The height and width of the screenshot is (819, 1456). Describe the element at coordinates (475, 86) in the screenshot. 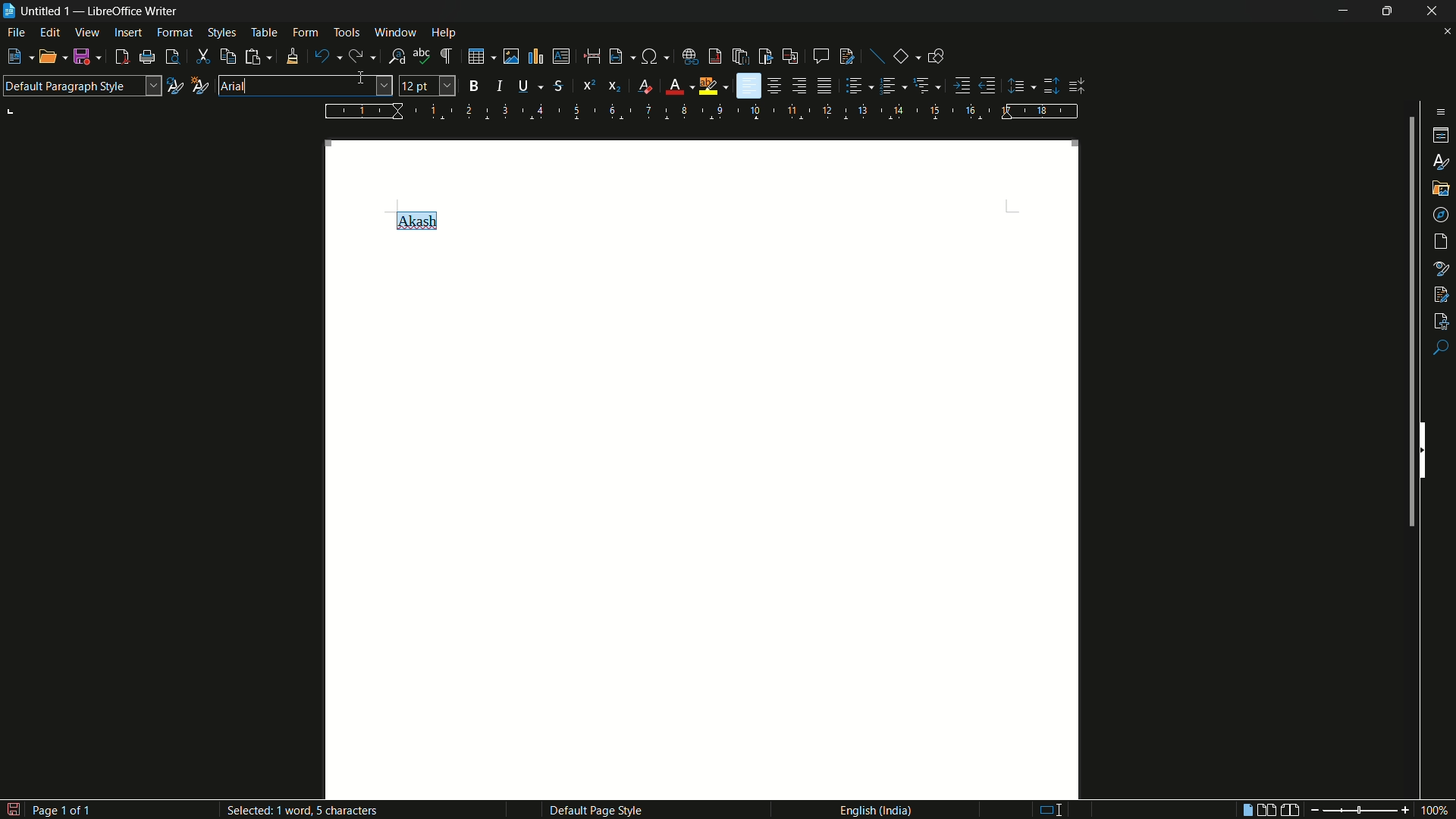

I see `bold` at that location.